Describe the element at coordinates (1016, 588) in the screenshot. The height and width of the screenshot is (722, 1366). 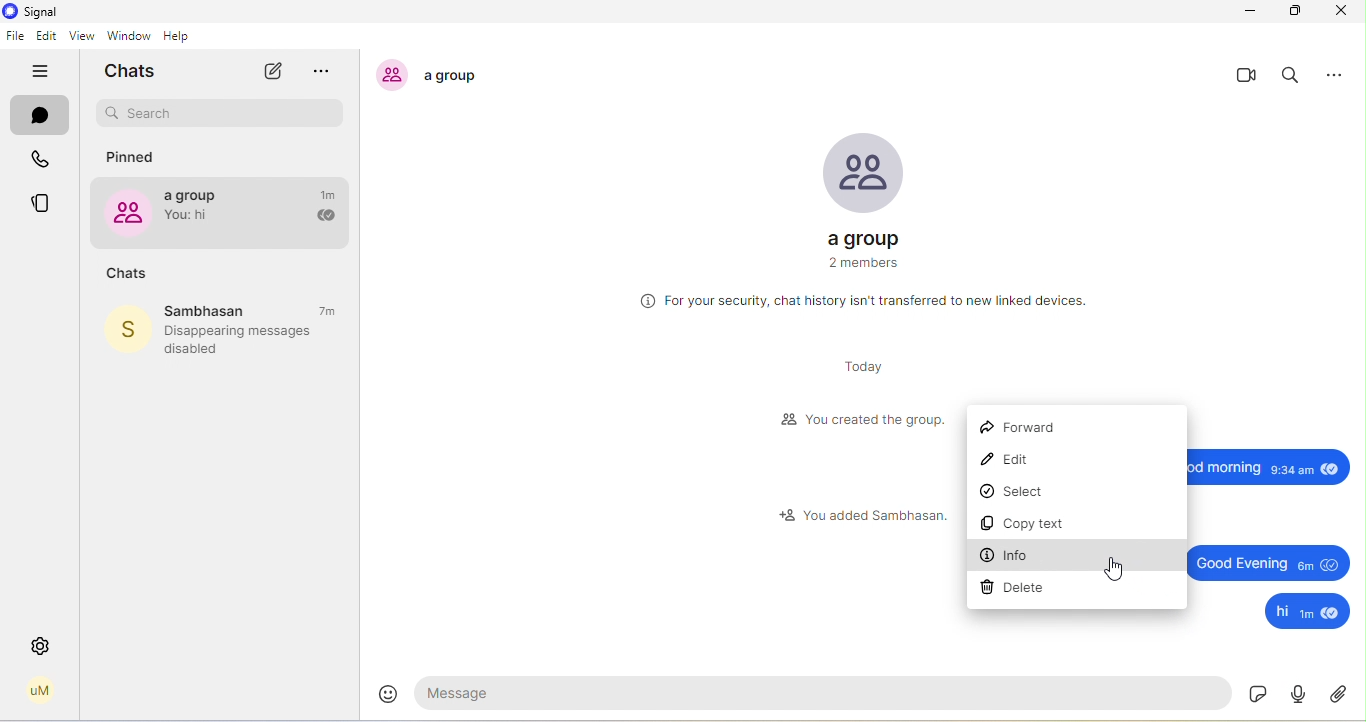
I see `delete` at that location.